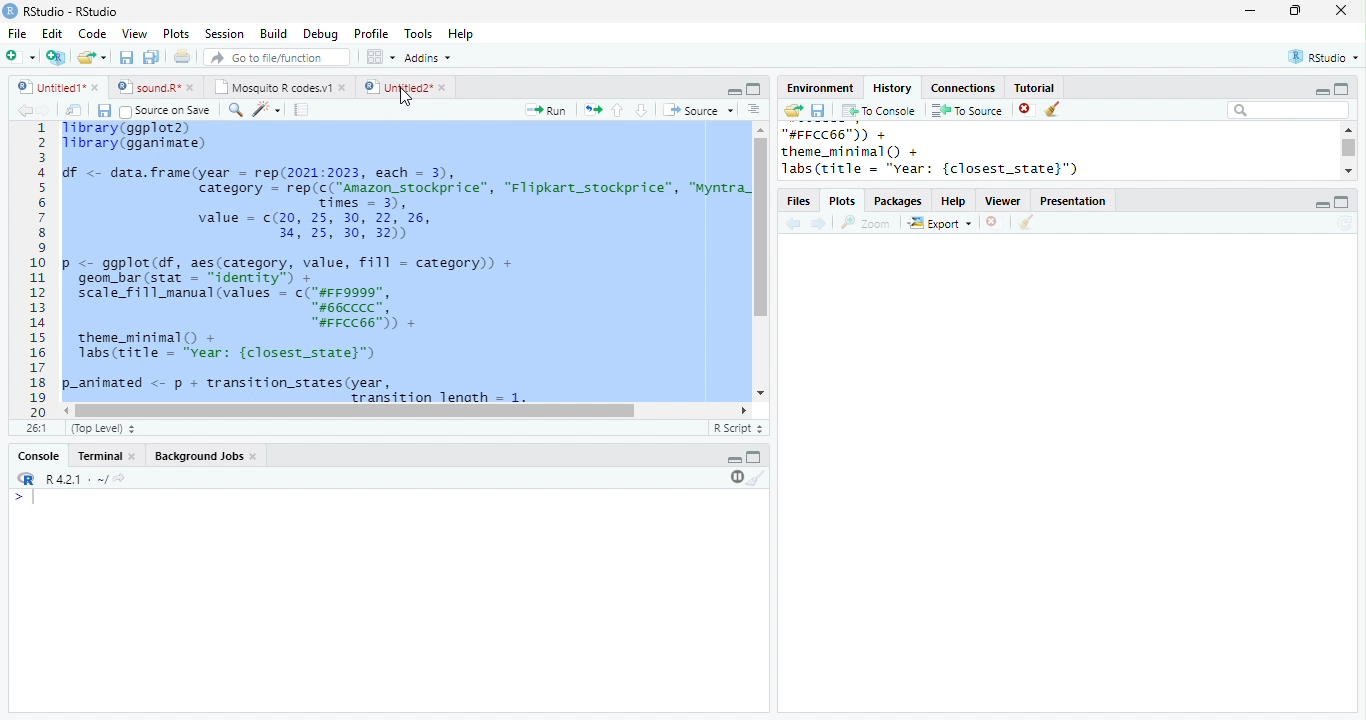 Image resolution: width=1366 pixels, height=720 pixels. What do you see at coordinates (1324, 56) in the screenshot?
I see `RStudio` at bounding box center [1324, 56].